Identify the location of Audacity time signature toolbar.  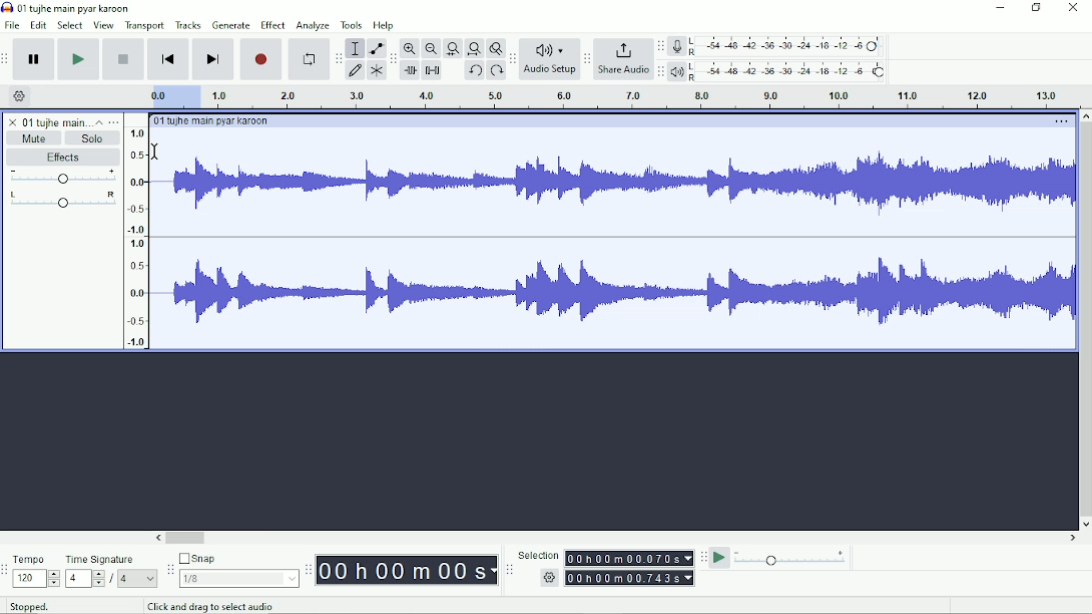
(7, 571).